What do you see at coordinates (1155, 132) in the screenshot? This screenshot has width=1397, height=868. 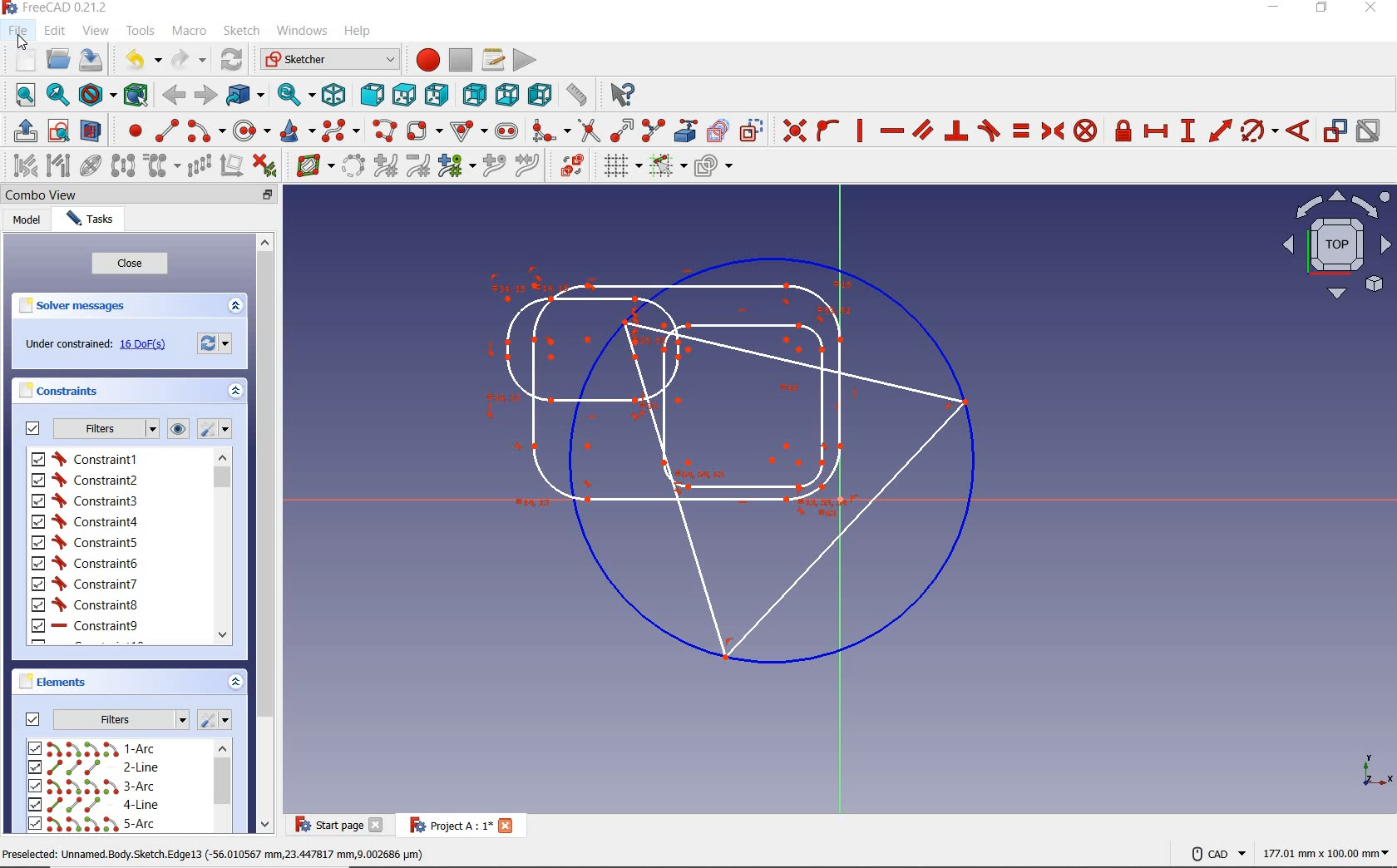 I see `constrain horizontal distance` at bounding box center [1155, 132].